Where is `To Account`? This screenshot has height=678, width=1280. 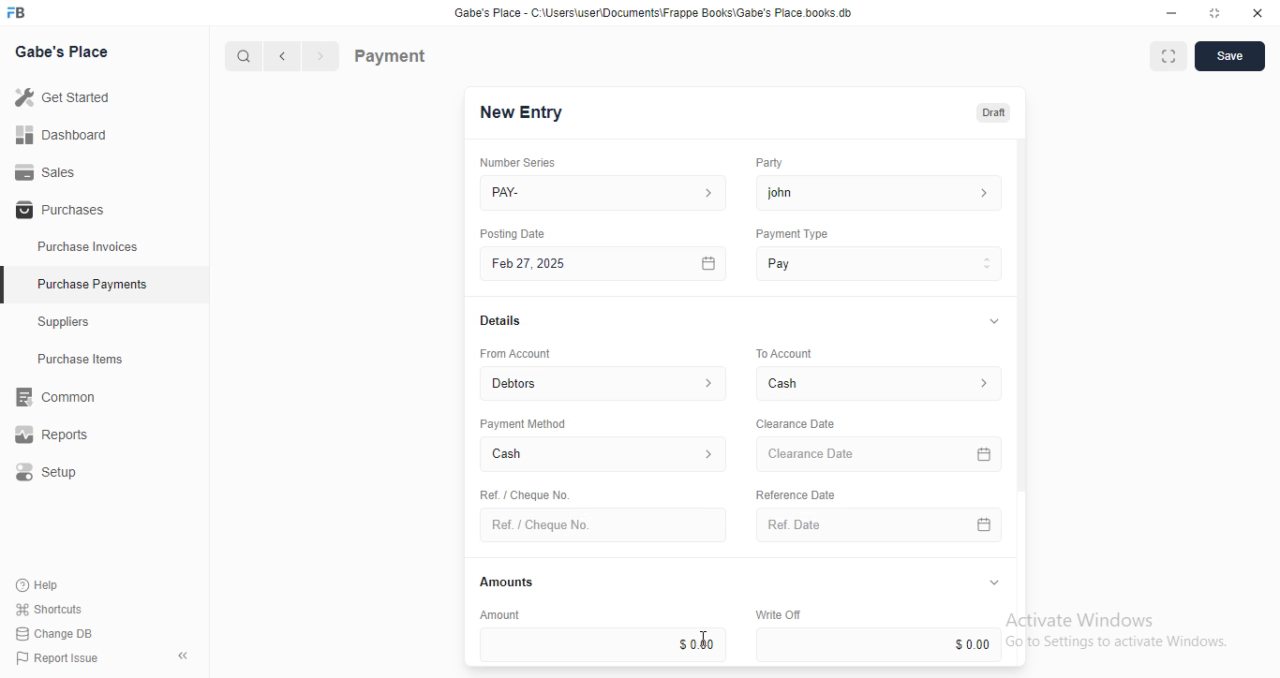 To Account is located at coordinates (782, 352).